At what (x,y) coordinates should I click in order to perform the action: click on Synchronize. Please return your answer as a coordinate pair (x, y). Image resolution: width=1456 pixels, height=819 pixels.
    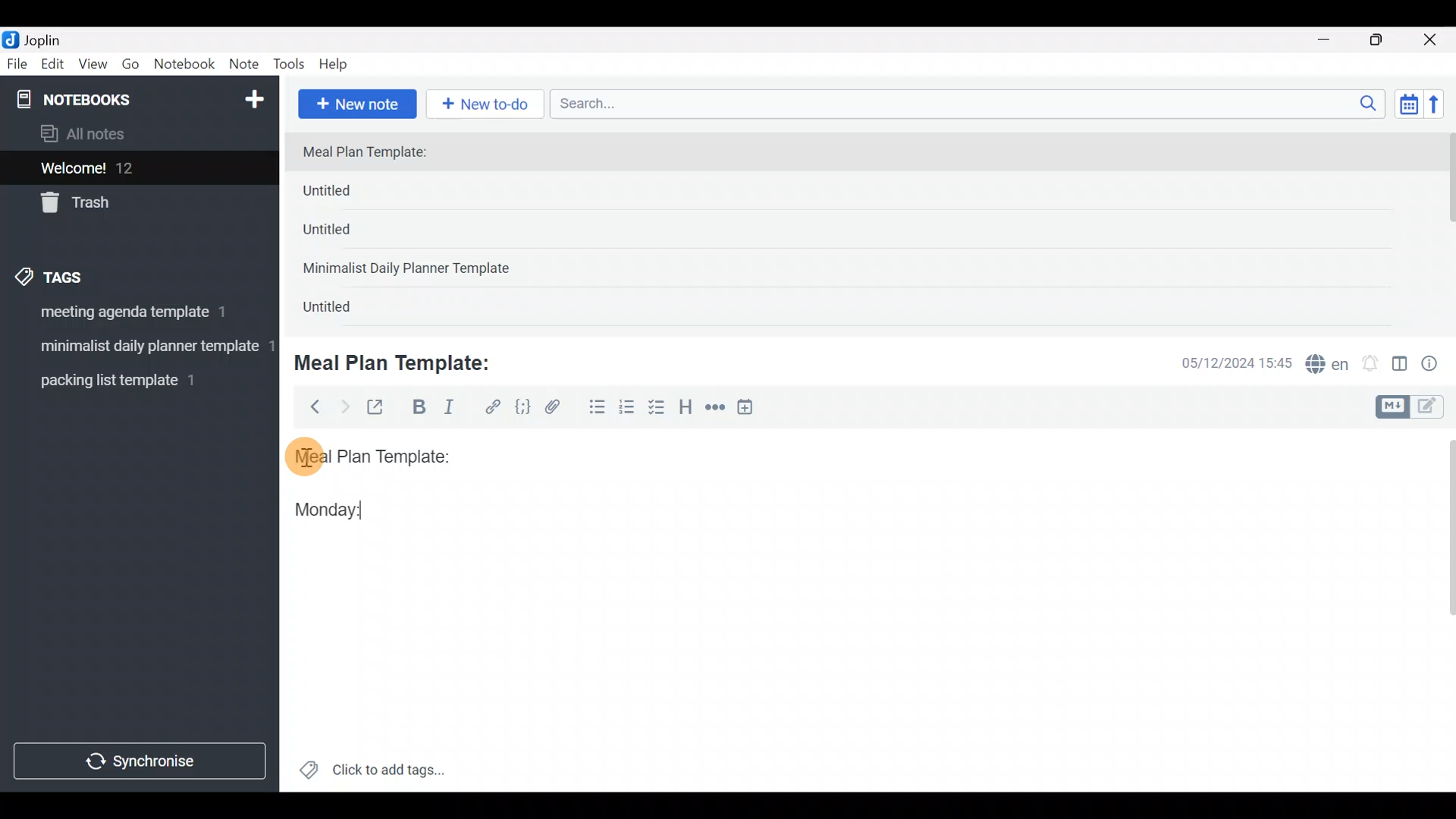
    Looking at the image, I should click on (142, 761).